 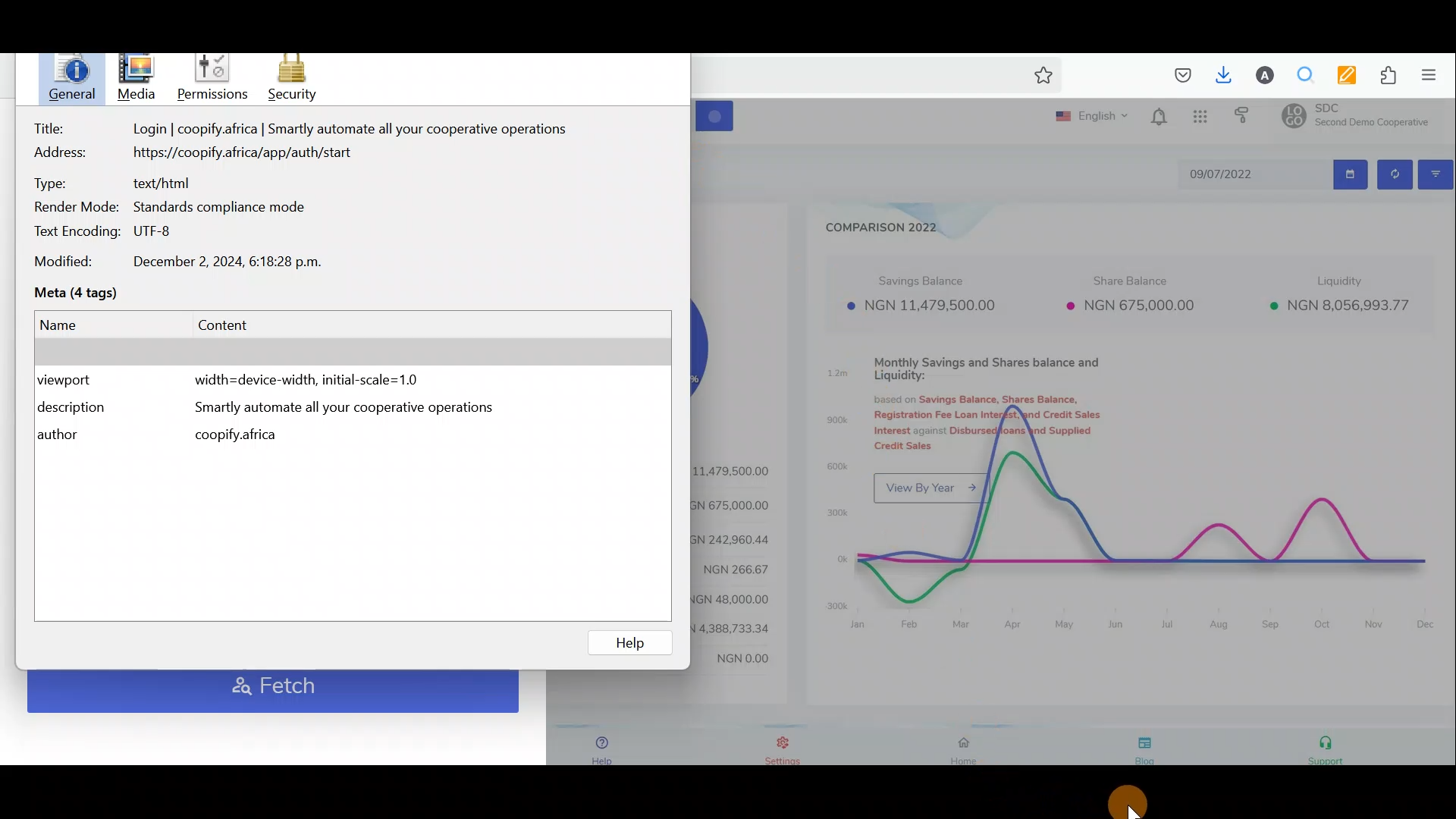 What do you see at coordinates (1300, 76) in the screenshot?
I see `Multiple search & highlight` at bounding box center [1300, 76].